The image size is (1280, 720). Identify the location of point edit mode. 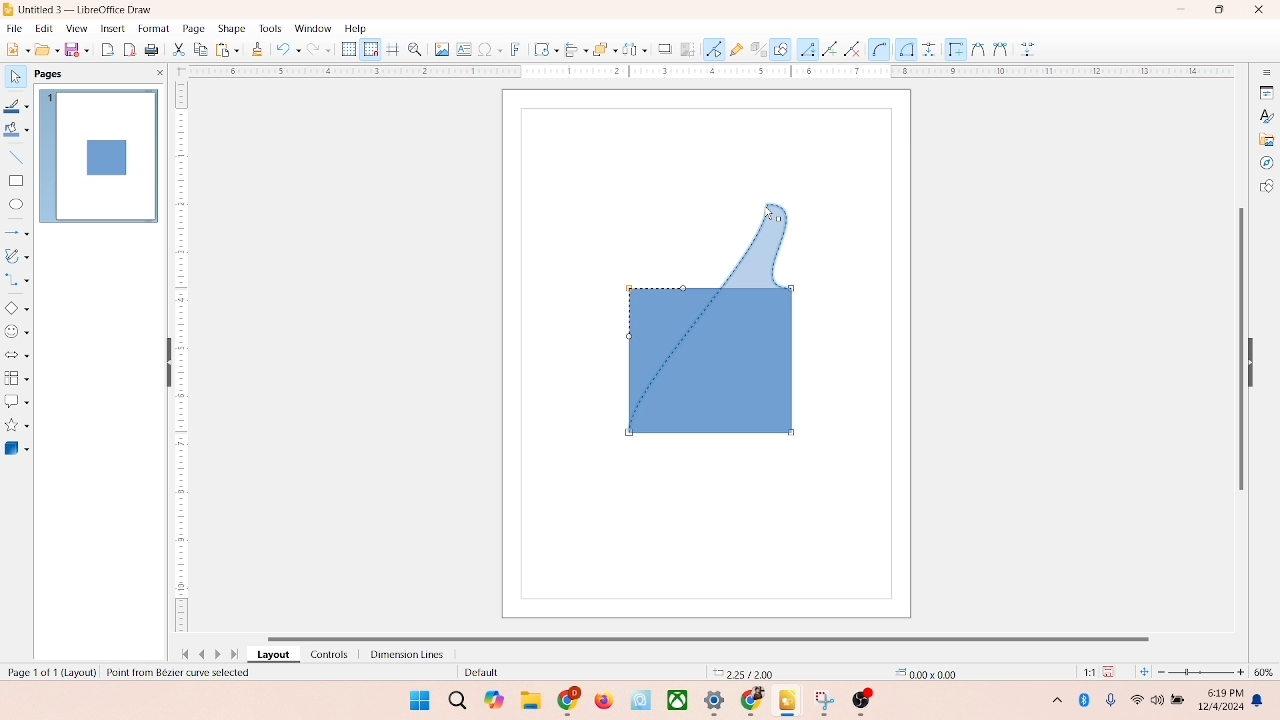
(714, 48).